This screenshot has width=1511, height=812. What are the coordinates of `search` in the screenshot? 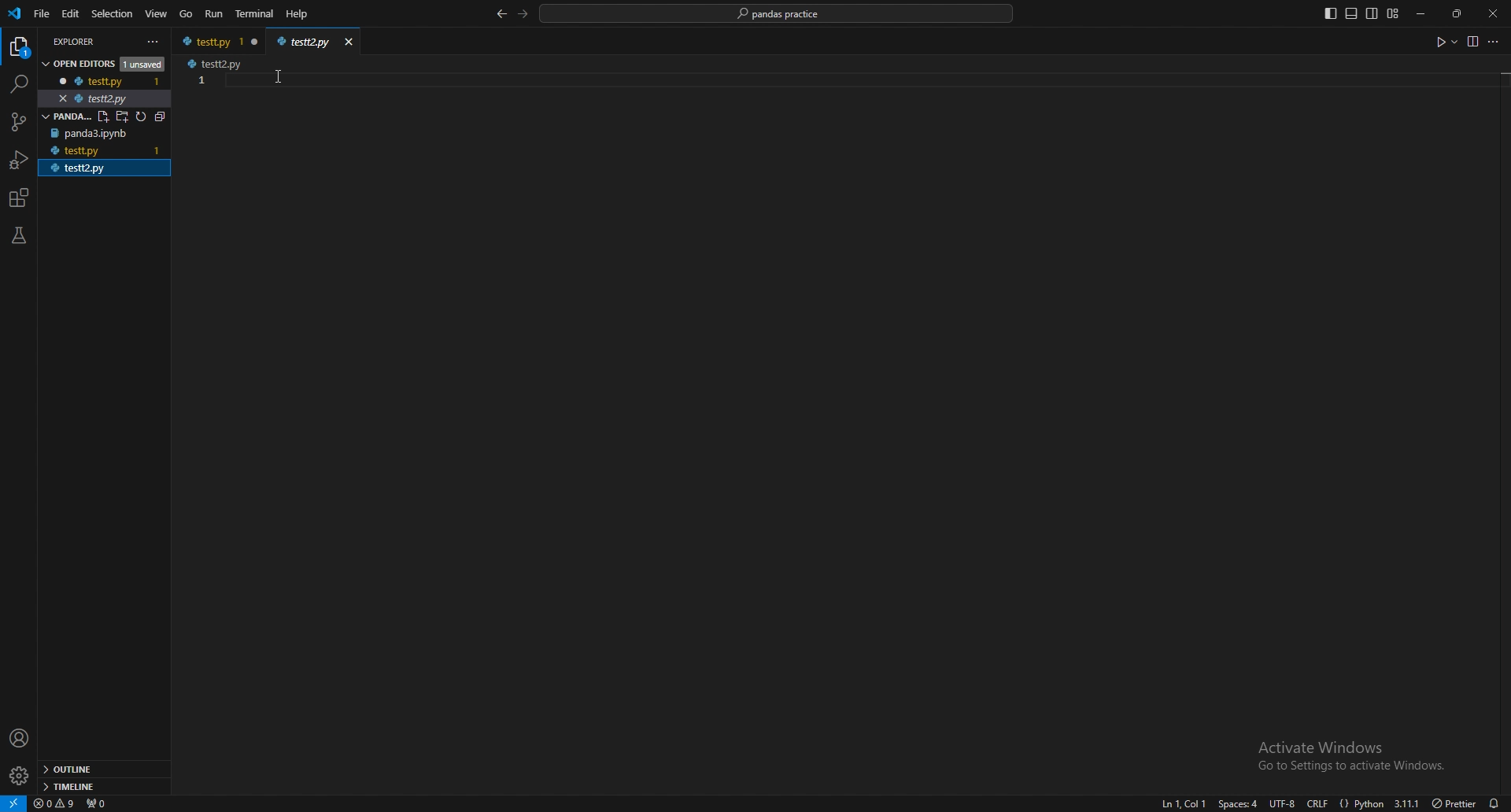 It's located at (17, 84).